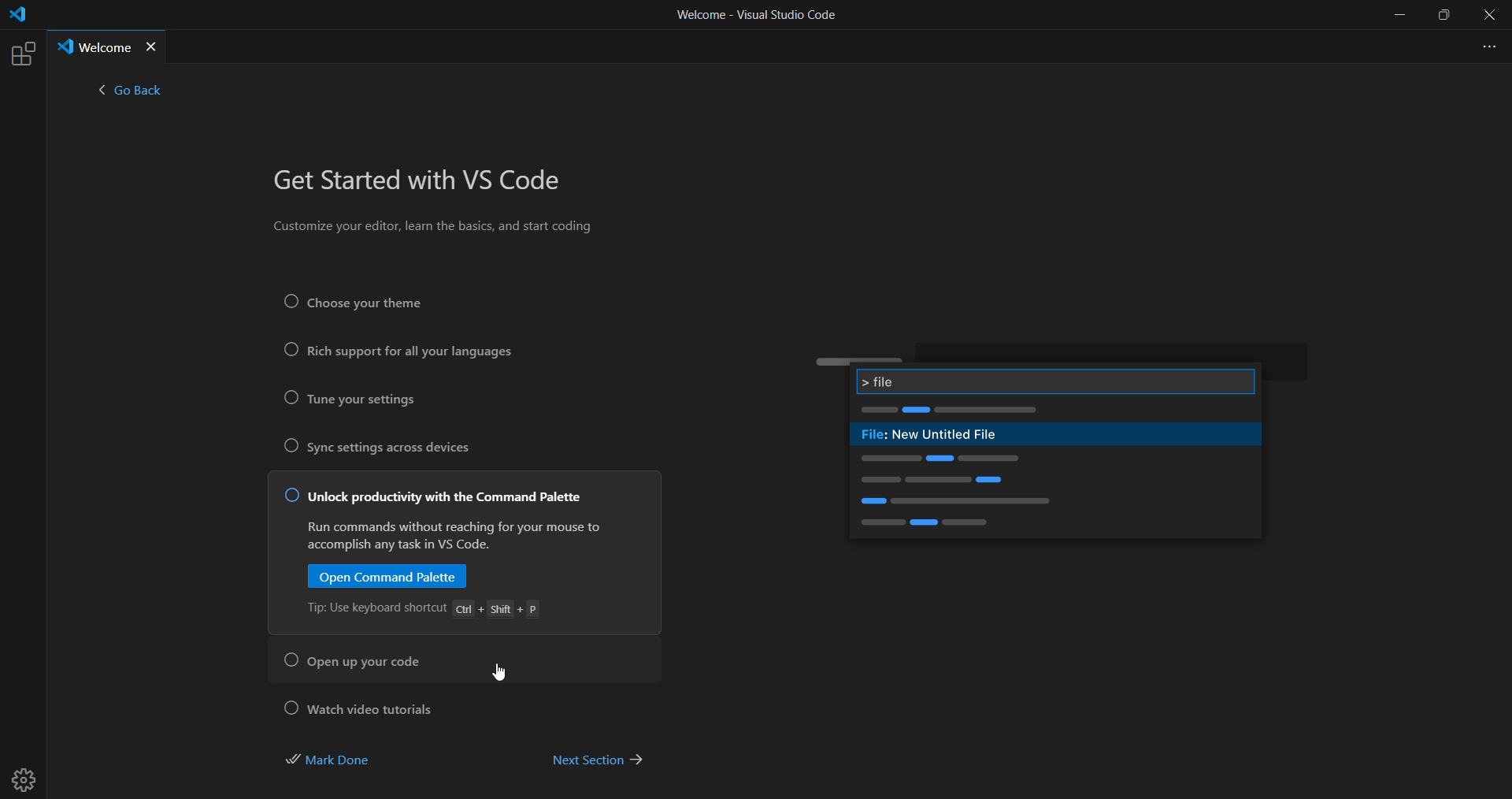 The width and height of the screenshot is (1512, 799). Describe the element at coordinates (375, 302) in the screenshot. I see `Choose your theme` at that location.